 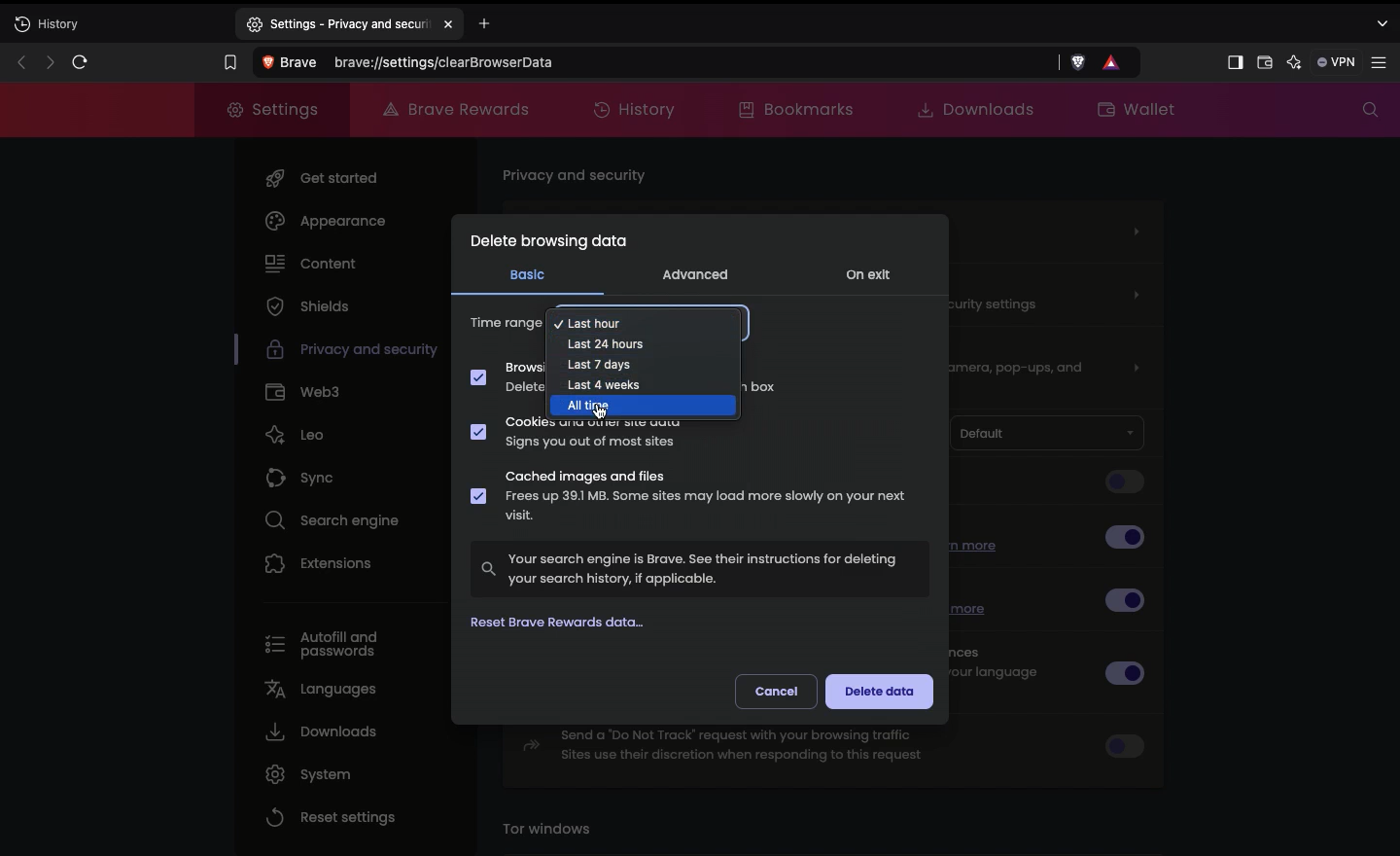 I want to click on All time, so click(x=590, y=407).